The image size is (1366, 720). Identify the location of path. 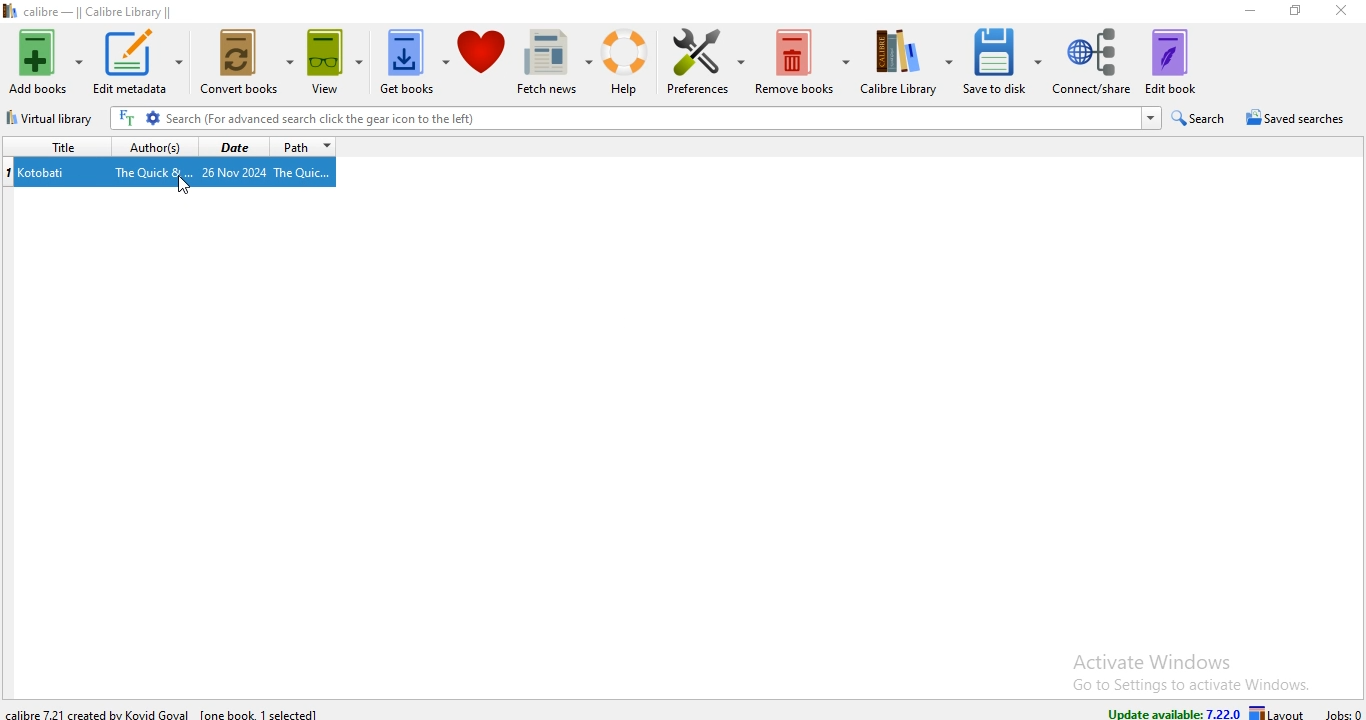
(303, 147).